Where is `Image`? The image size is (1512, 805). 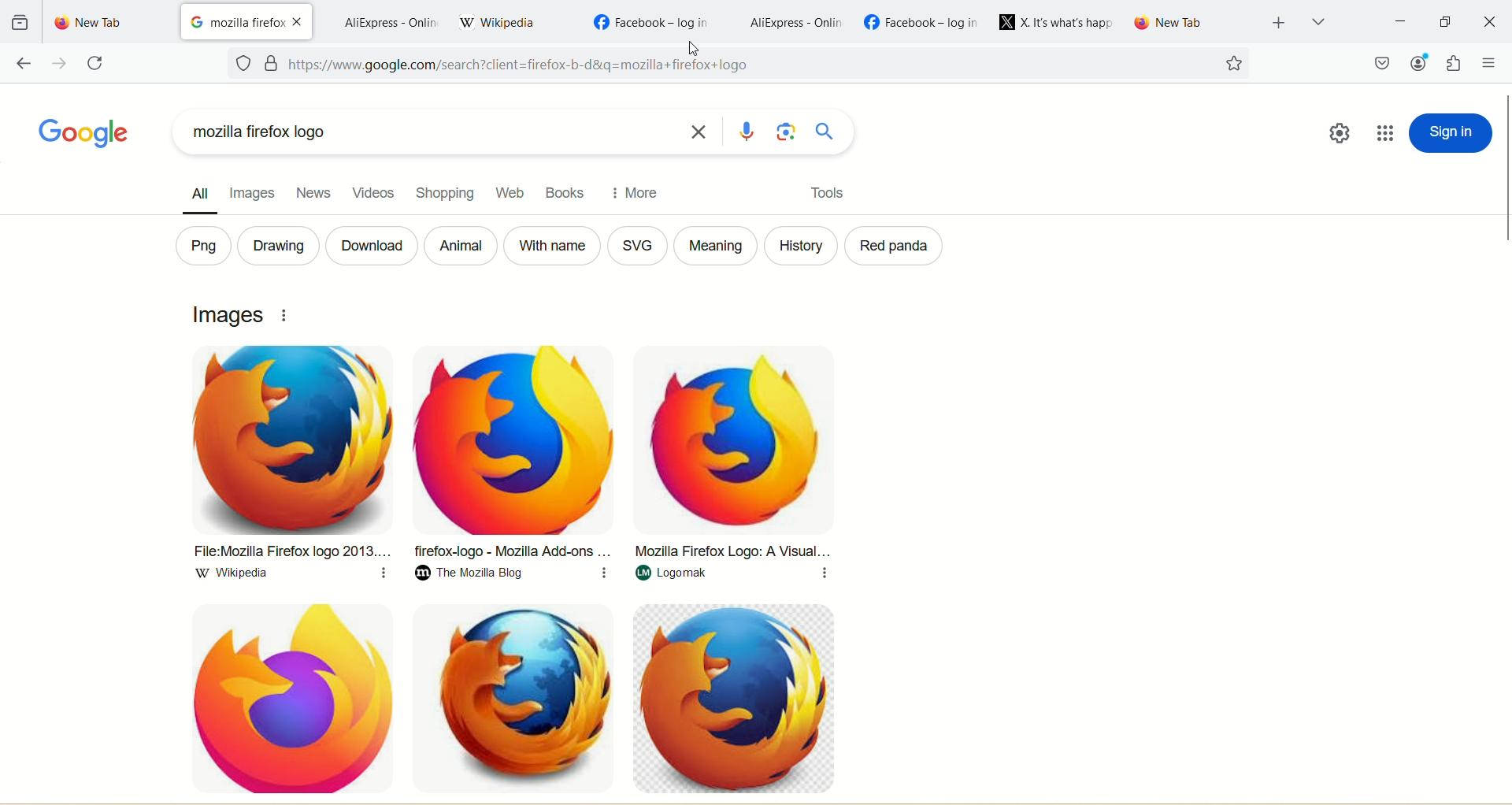 Image is located at coordinates (521, 699).